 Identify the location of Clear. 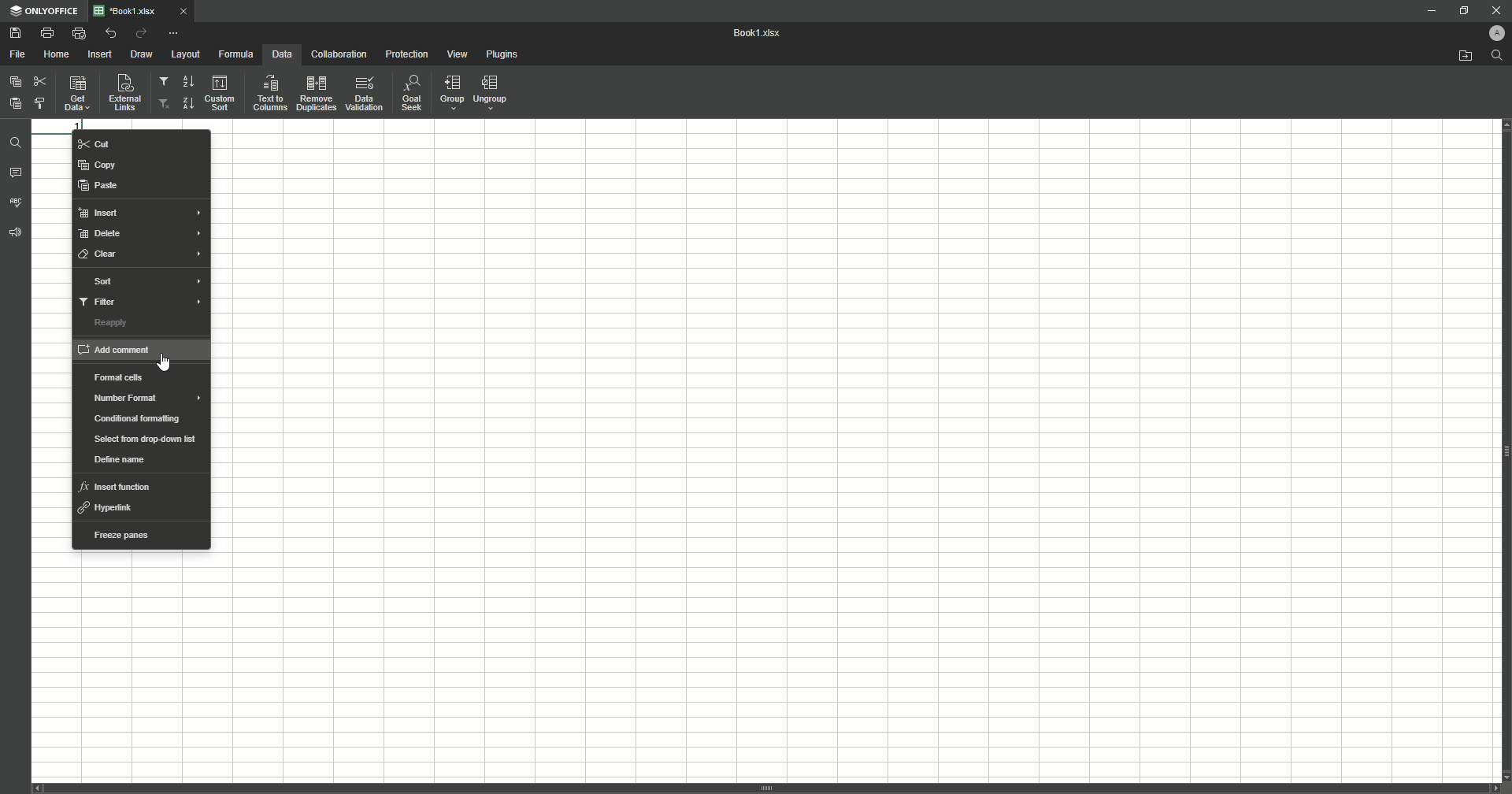
(101, 257).